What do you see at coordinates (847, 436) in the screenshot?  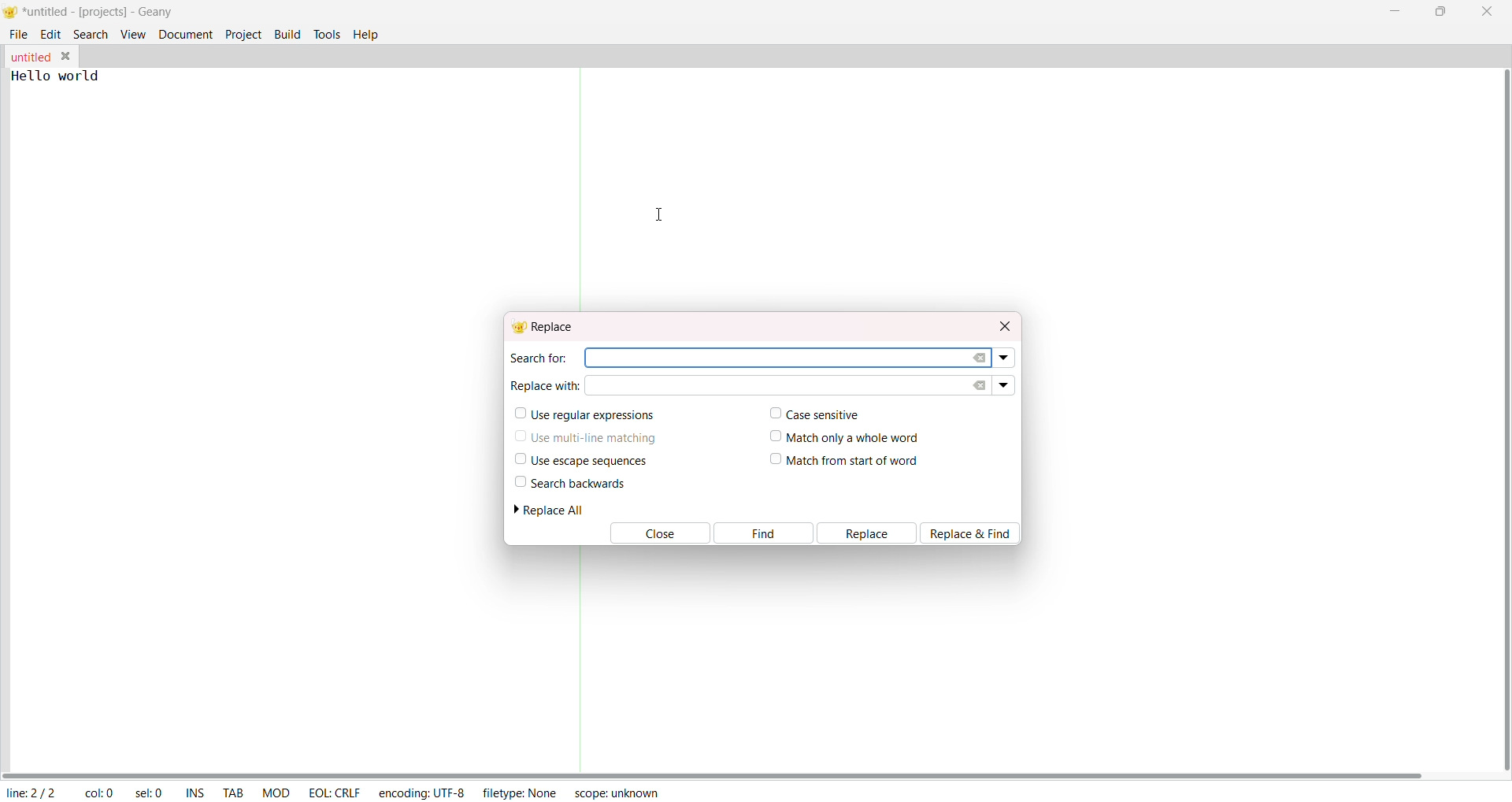 I see `match only a whole word` at bounding box center [847, 436].